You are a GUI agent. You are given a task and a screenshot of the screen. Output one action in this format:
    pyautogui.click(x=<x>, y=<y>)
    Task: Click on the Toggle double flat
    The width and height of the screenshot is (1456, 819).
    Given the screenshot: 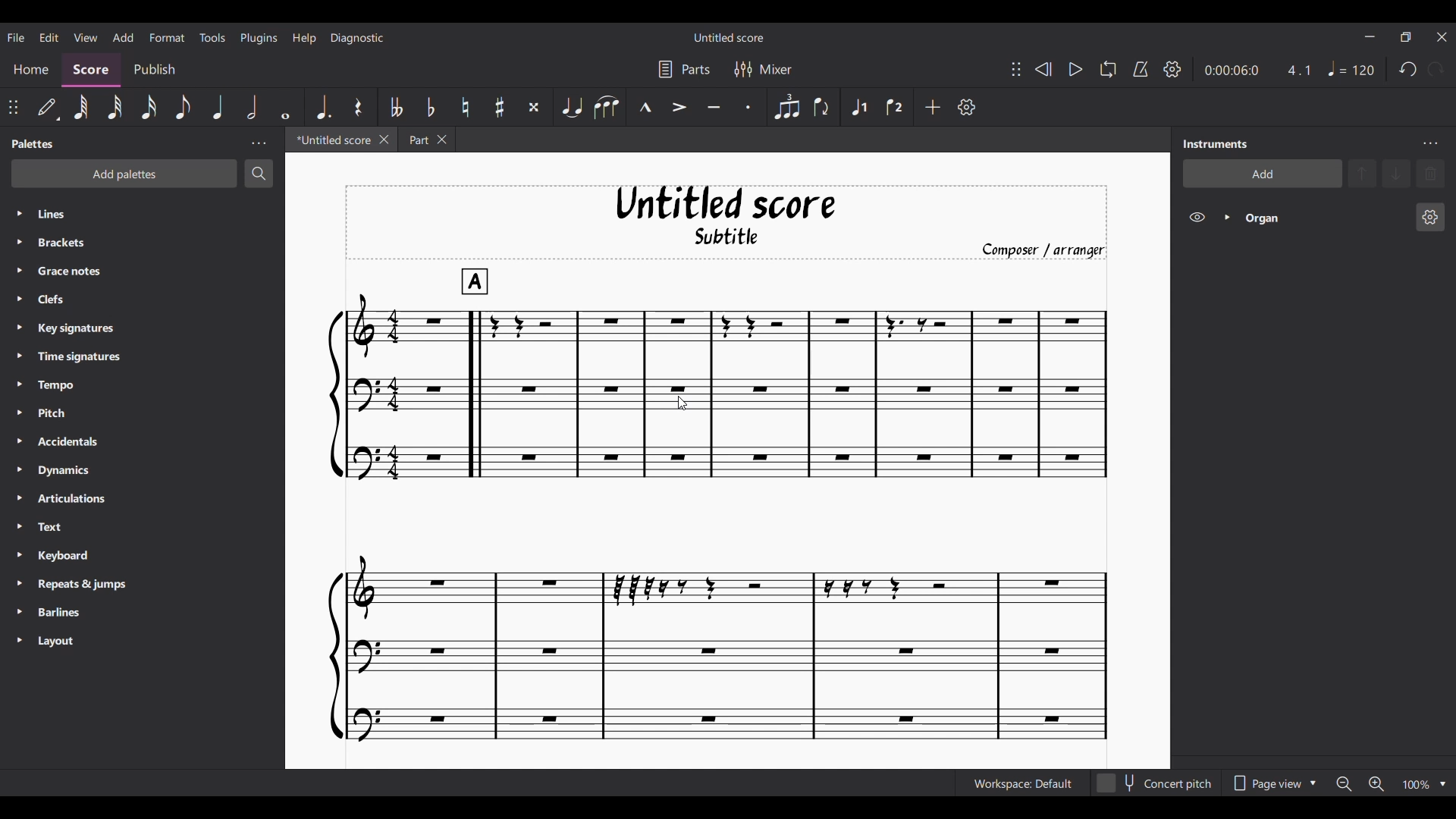 What is the action you would take?
    pyautogui.click(x=395, y=107)
    